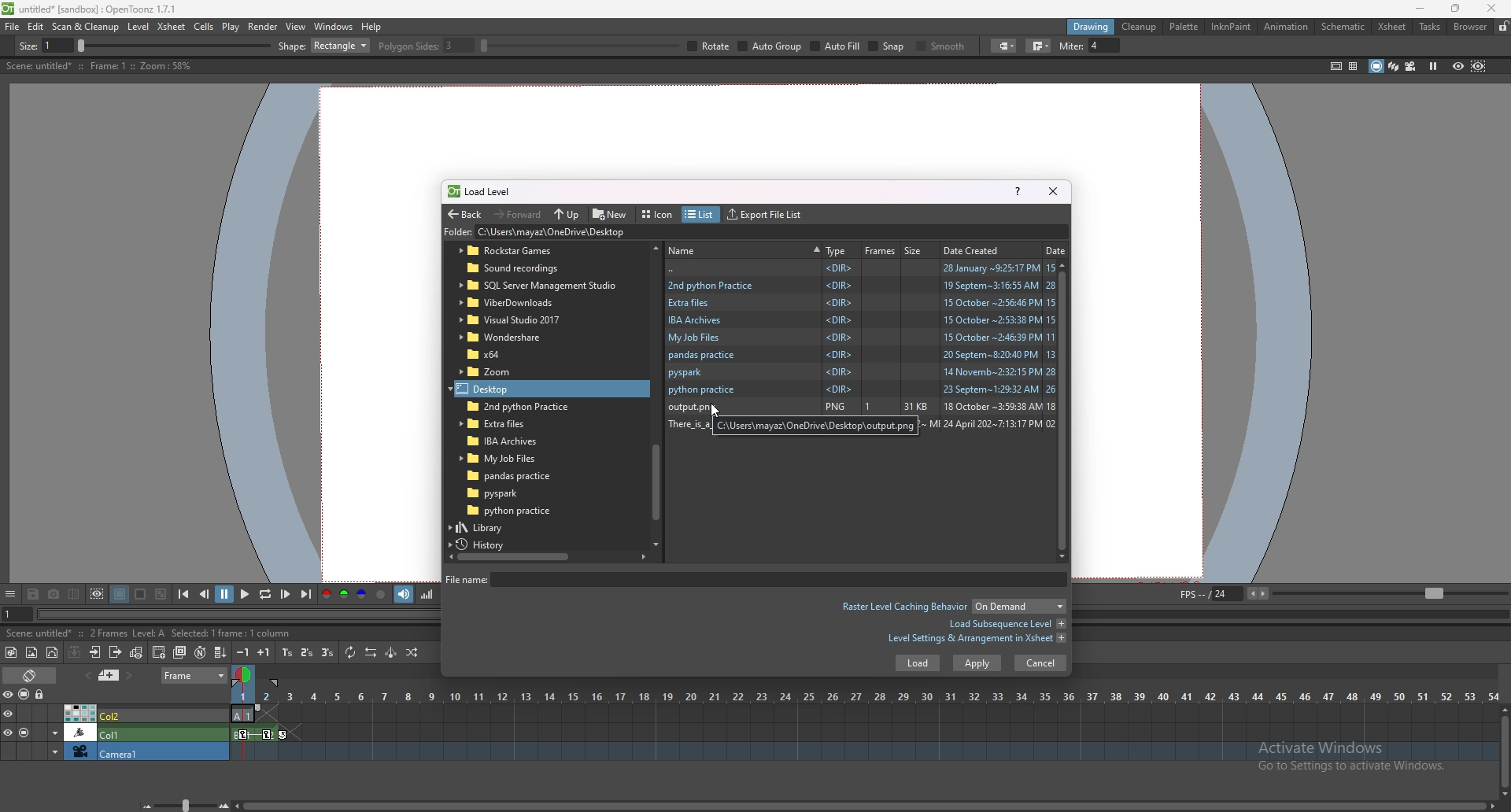 This screenshot has width=1511, height=812. What do you see at coordinates (699, 215) in the screenshot?
I see `list` at bounding box center [699, 215].